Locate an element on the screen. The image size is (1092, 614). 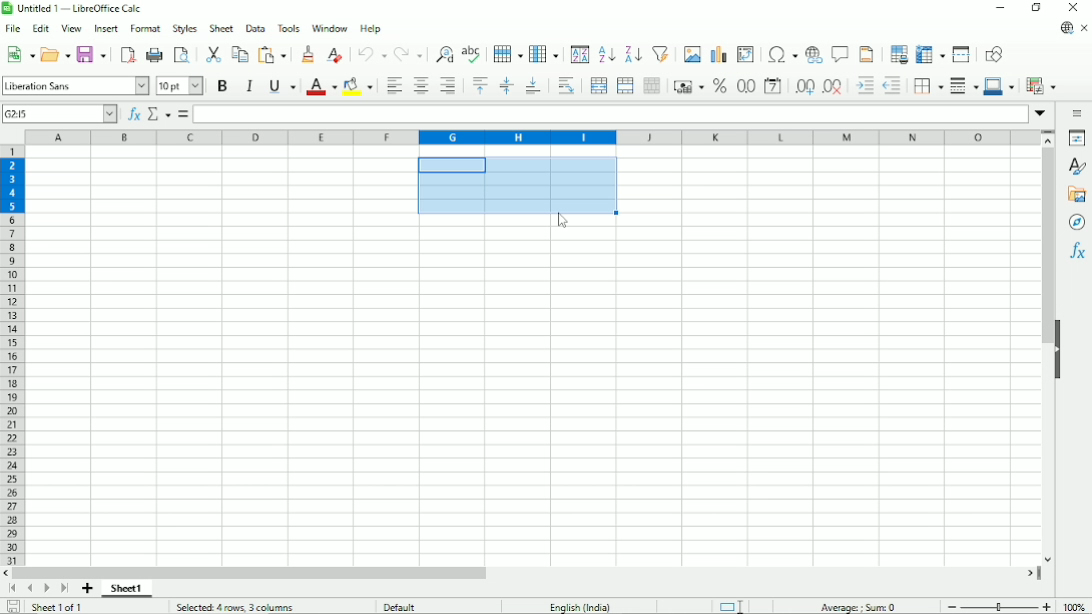
Save is located at coordinates (12, 606).